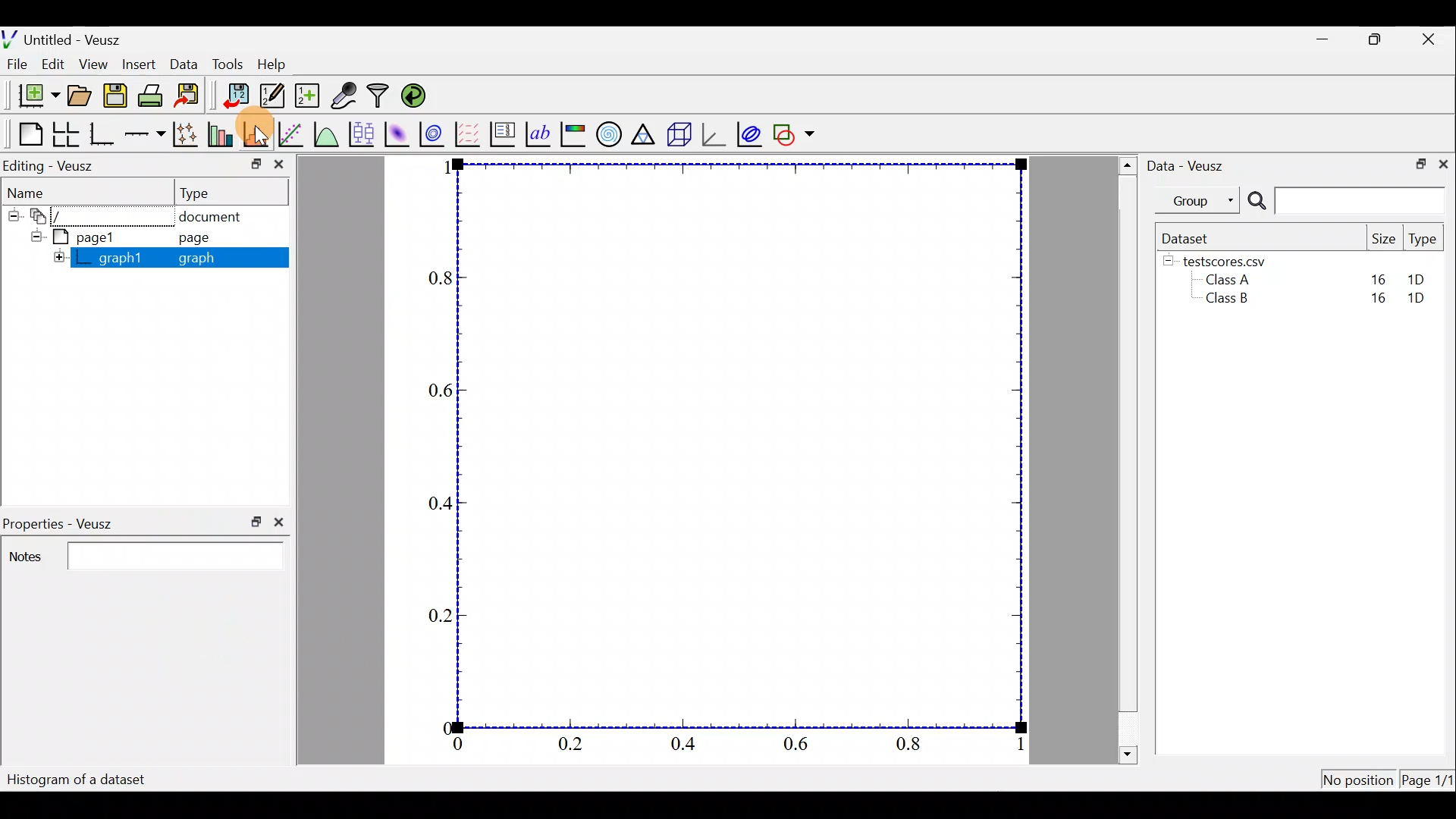 This screenshot has width=1456, height=819. I want to click on New document, so click(32, 95).